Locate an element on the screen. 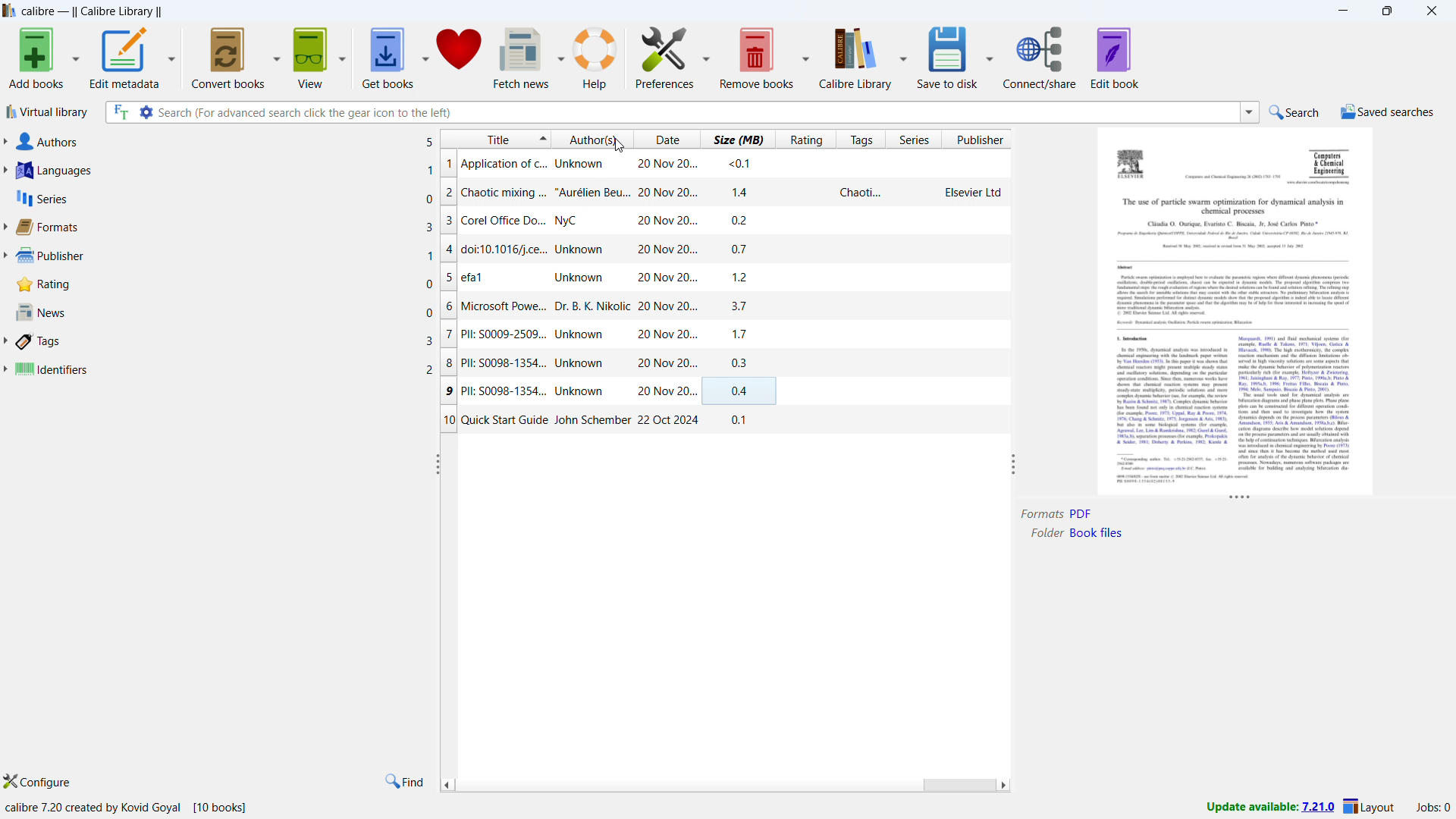  scroll right is located at coordinates (1004, 784).